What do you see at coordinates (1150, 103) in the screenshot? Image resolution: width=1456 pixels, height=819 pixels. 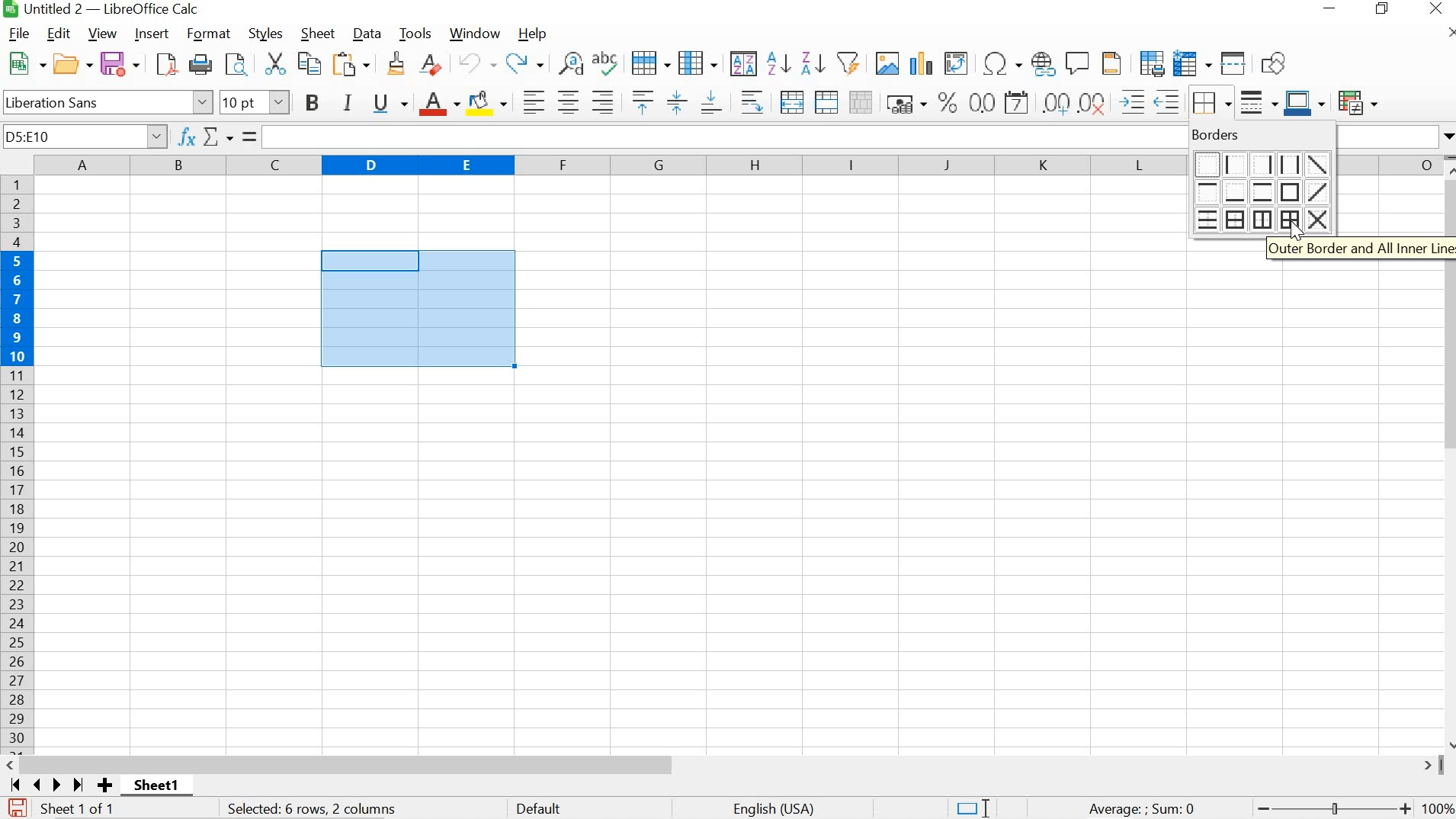 I see `INCREASE INDENT OR DECREASE INDENT` at bounding box center [1150, 103].